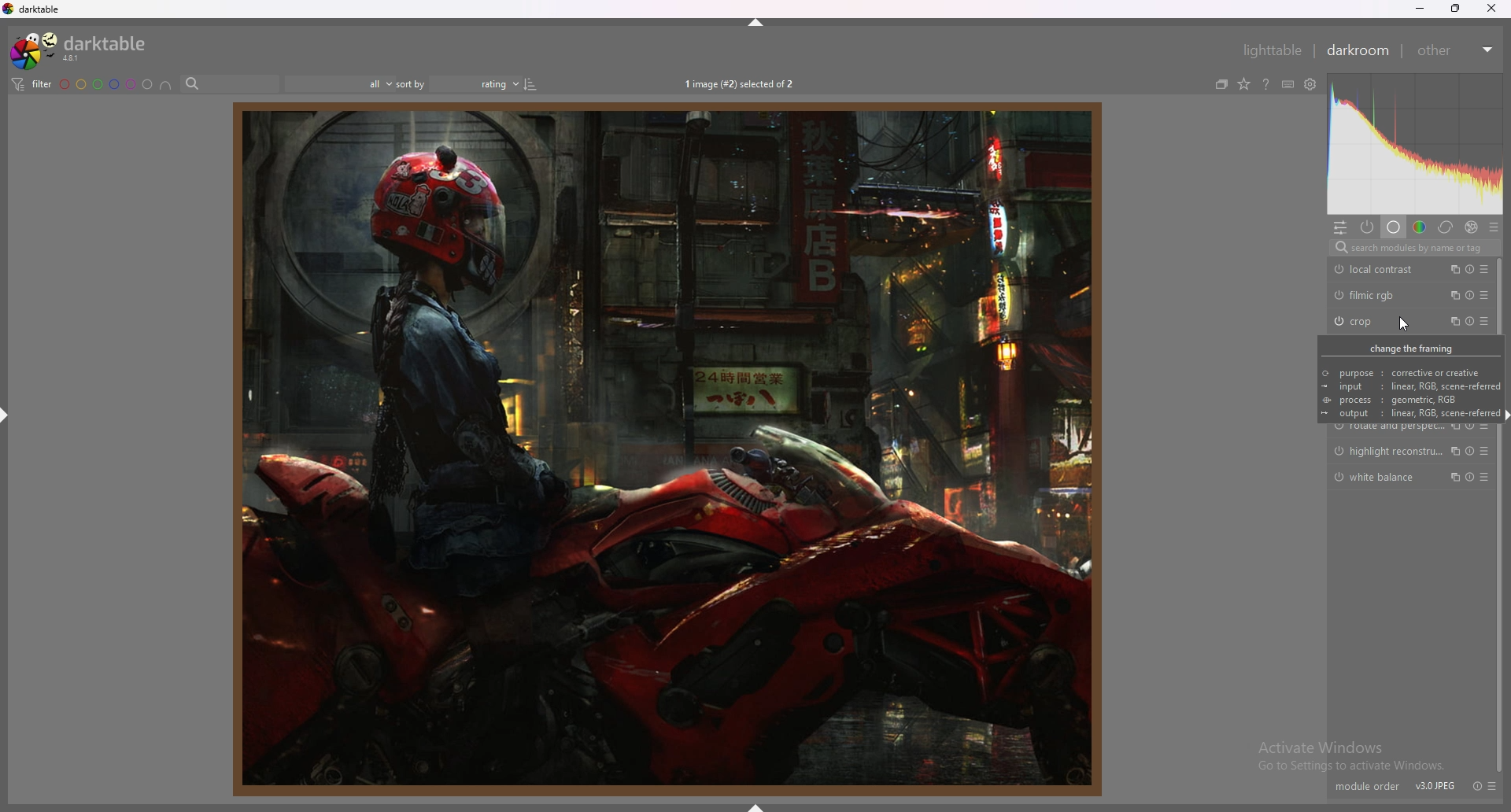 This screenshot has height=812, width=1511. Describe the element at coordinates (412, 83) in the screenshot. I see `sort by` at that location.